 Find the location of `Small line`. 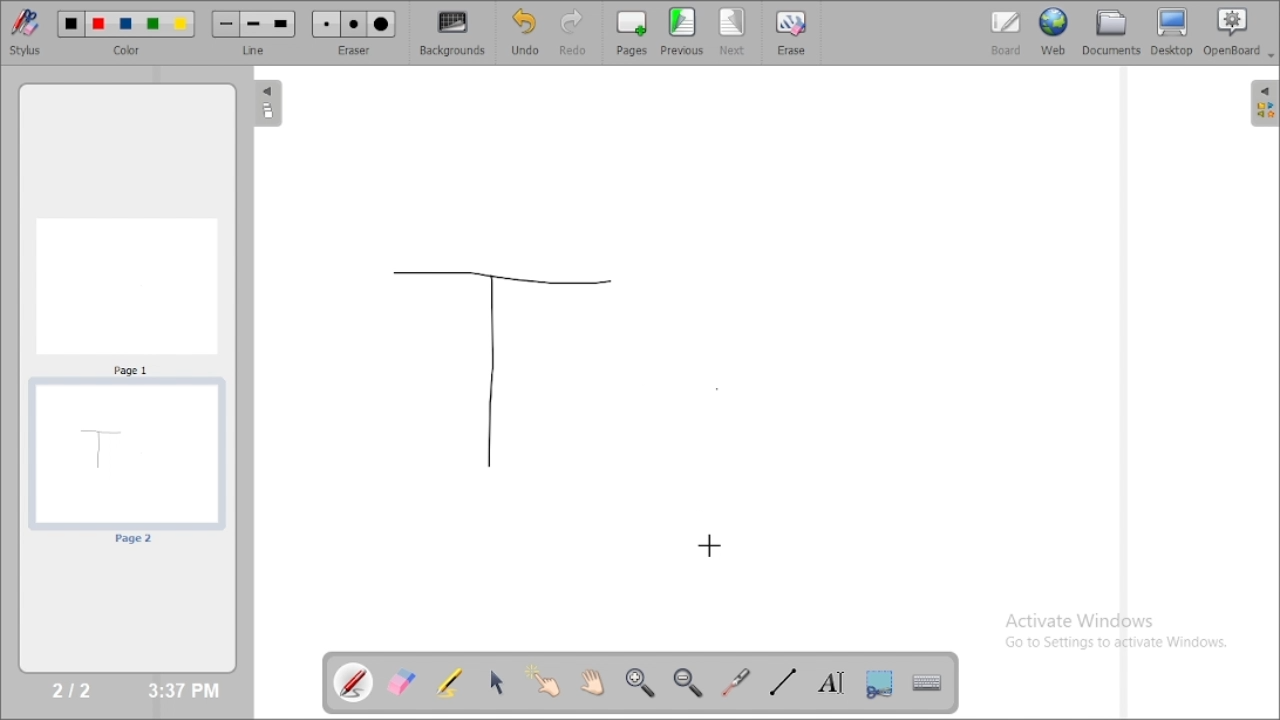

Small line is located at coordinates (226, 24).